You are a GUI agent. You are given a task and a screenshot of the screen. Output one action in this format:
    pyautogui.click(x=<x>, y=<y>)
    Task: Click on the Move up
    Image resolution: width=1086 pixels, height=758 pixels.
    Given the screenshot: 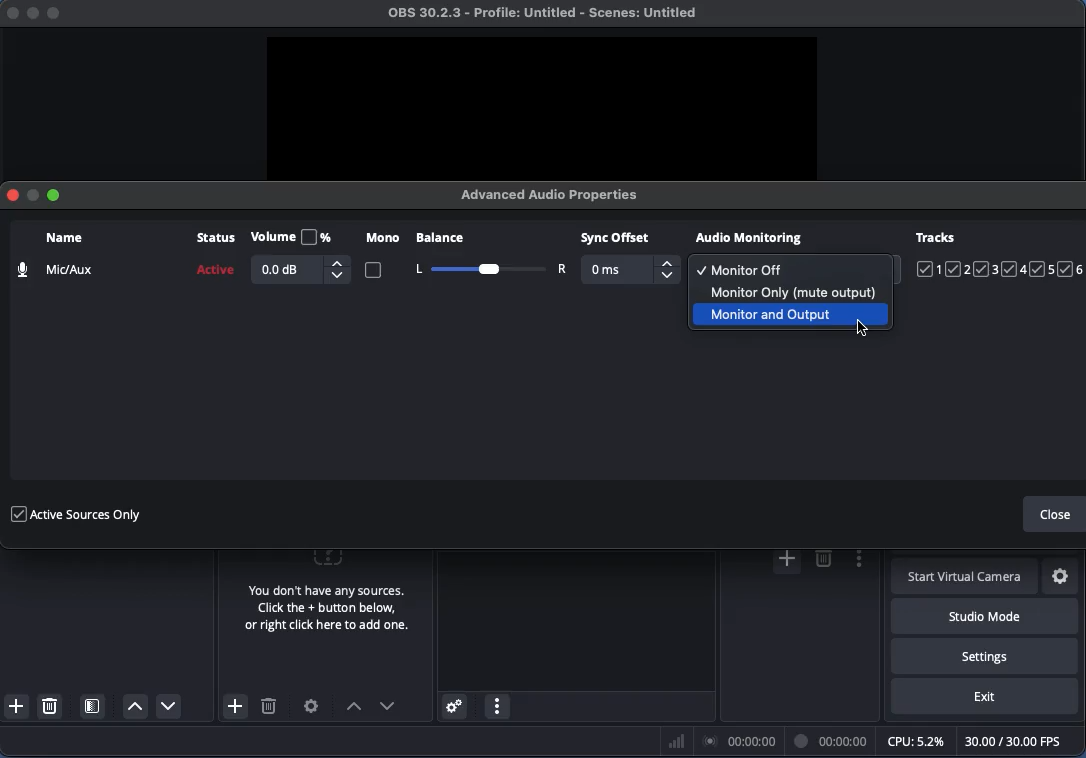 What is the action you would take?
    pyautogui.click(x=135, y=707)
    